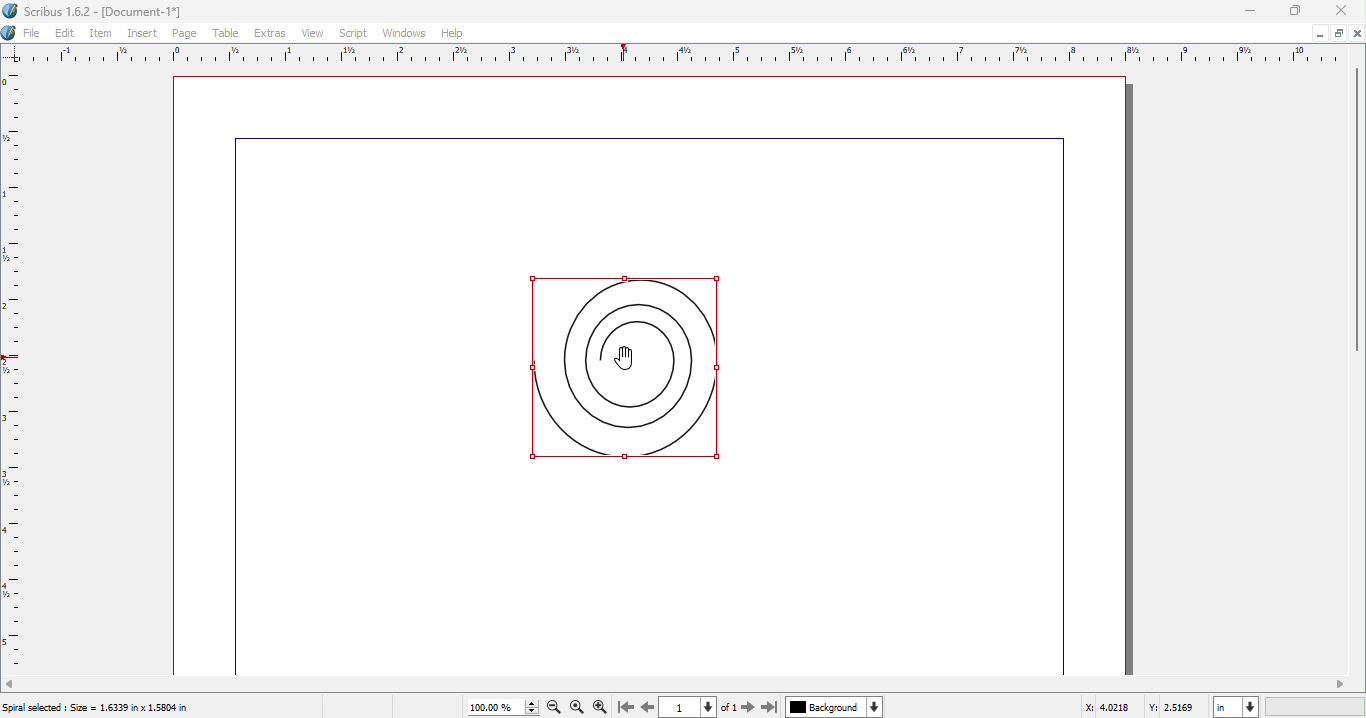 The height and width of the screenshot is (718, 1366). What do you see at coordinates (670, 55) in the screenshot?
I see `Horizontal ruler` at bounding box center [670, 55].